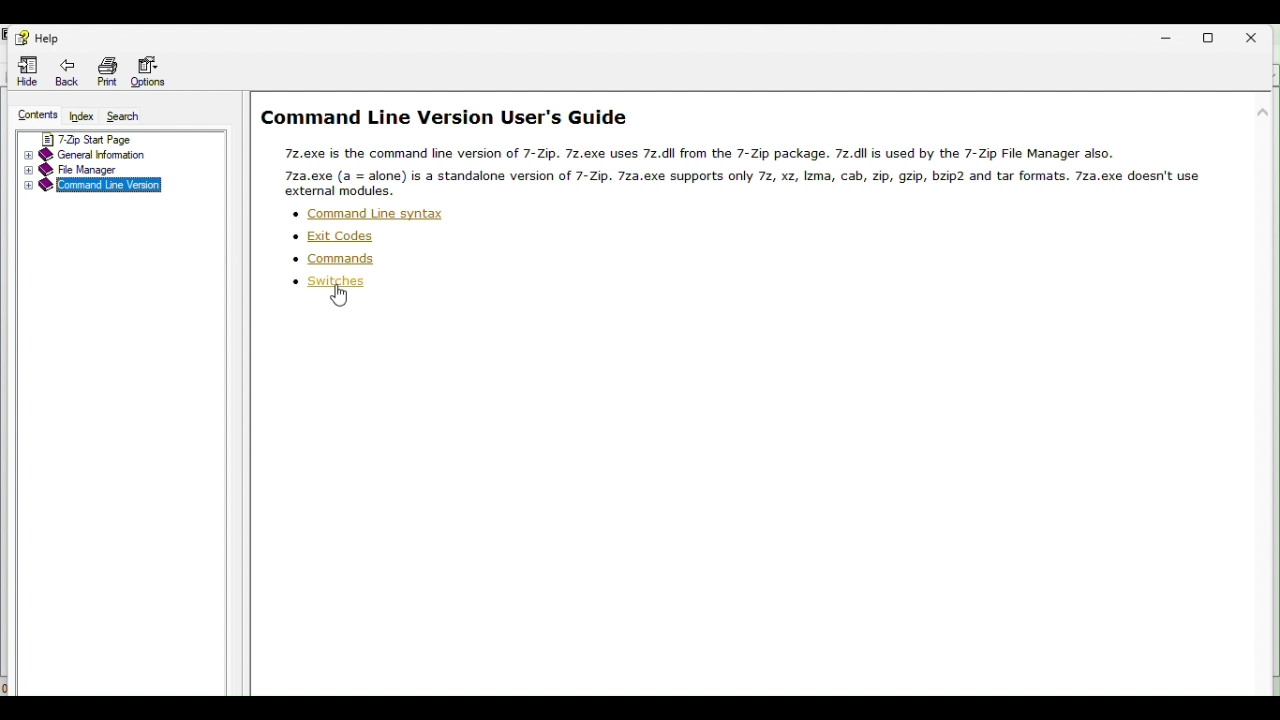 This screenshot has height=720, width=1280. I want to click on Back , so click(71, 70).